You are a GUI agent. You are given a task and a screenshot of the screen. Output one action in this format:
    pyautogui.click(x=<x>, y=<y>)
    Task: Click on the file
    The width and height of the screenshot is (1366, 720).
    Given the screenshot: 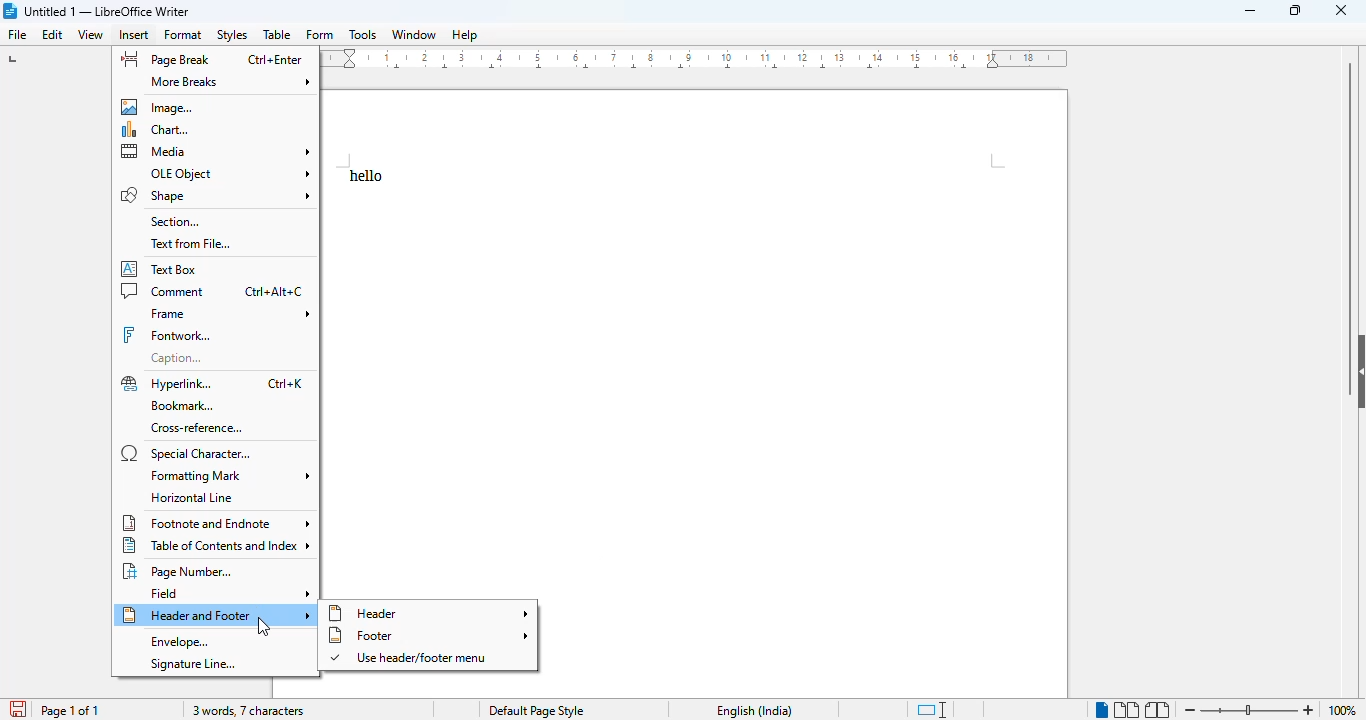 What is the action you would take?
    pyautogui.click(x=16, y=34)
    